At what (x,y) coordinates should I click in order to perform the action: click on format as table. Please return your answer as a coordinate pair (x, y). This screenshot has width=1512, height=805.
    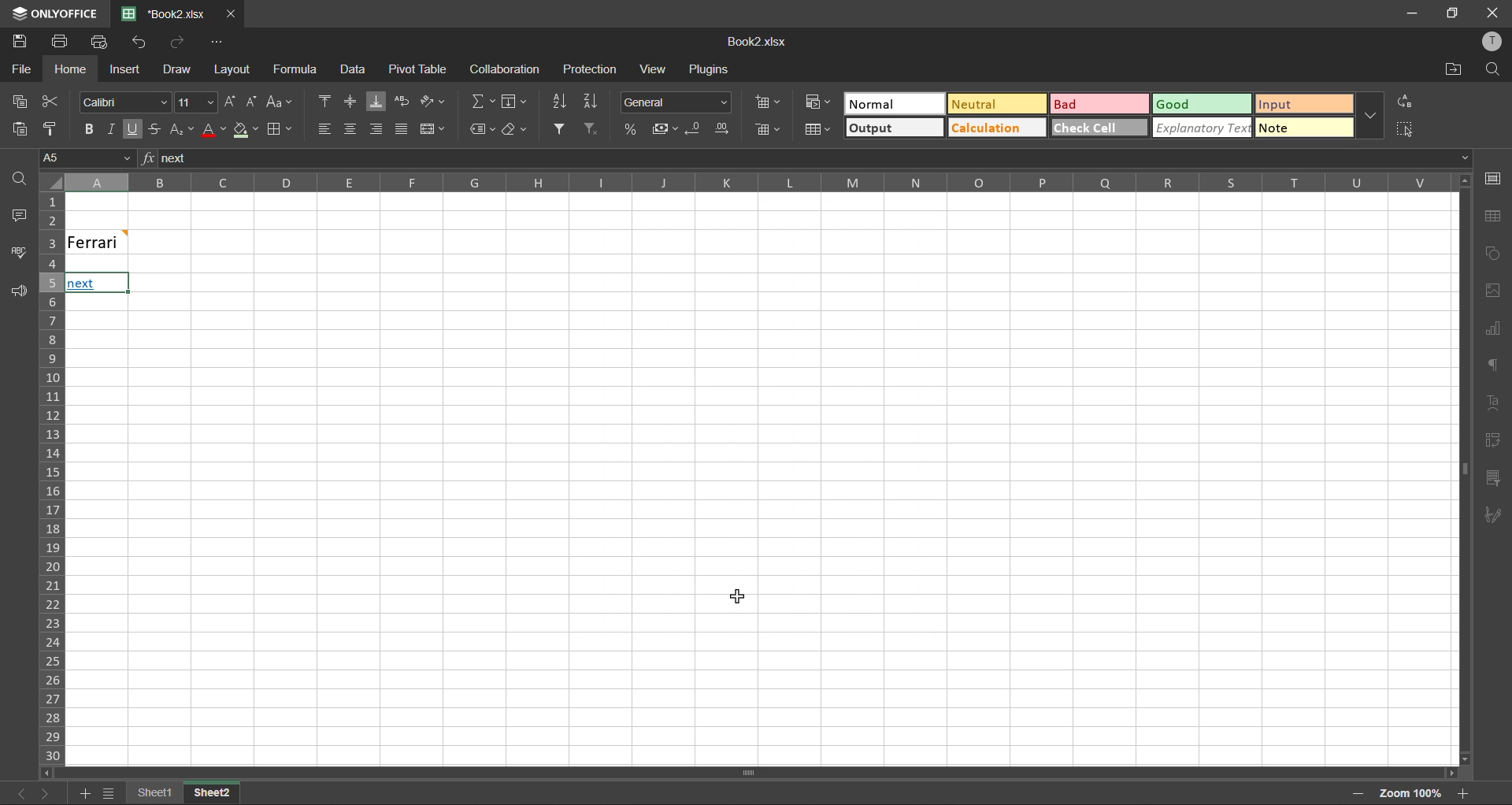
    Looking at the image, I should click on (815, 130).